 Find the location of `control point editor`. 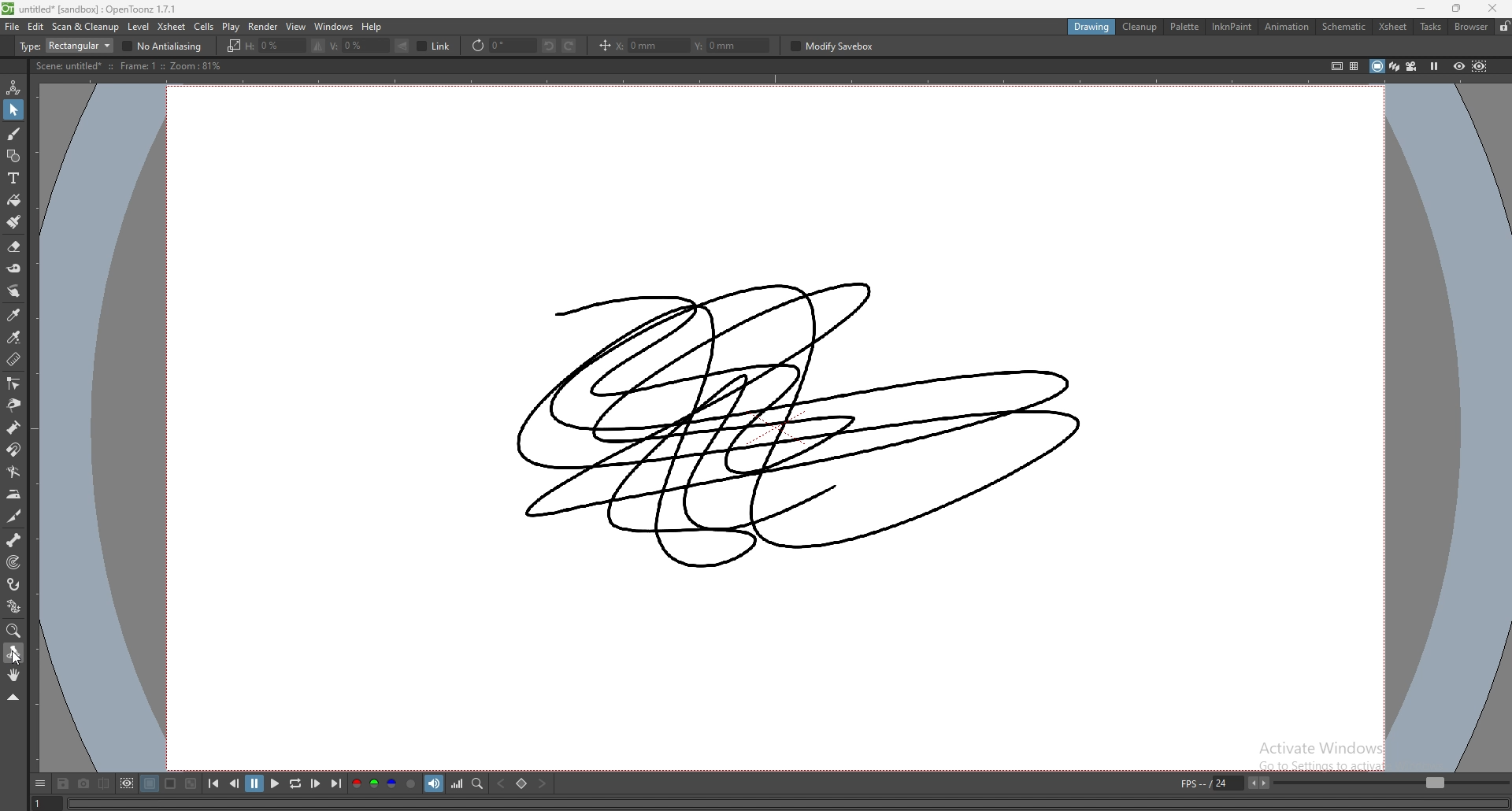

control point editor is located at coordinates (13, 383).